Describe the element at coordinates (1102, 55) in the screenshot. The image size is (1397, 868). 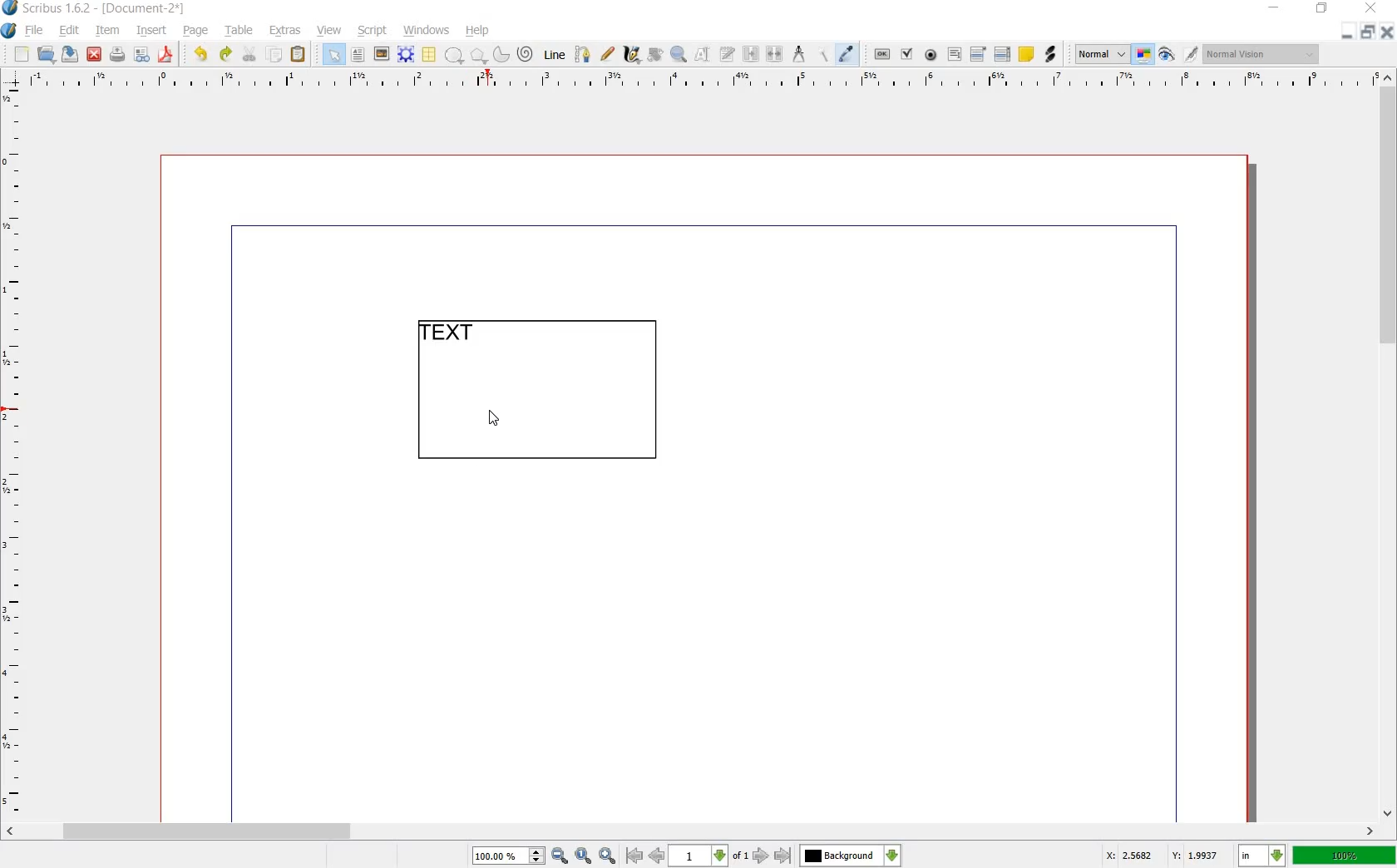
I see `normal` at that location.